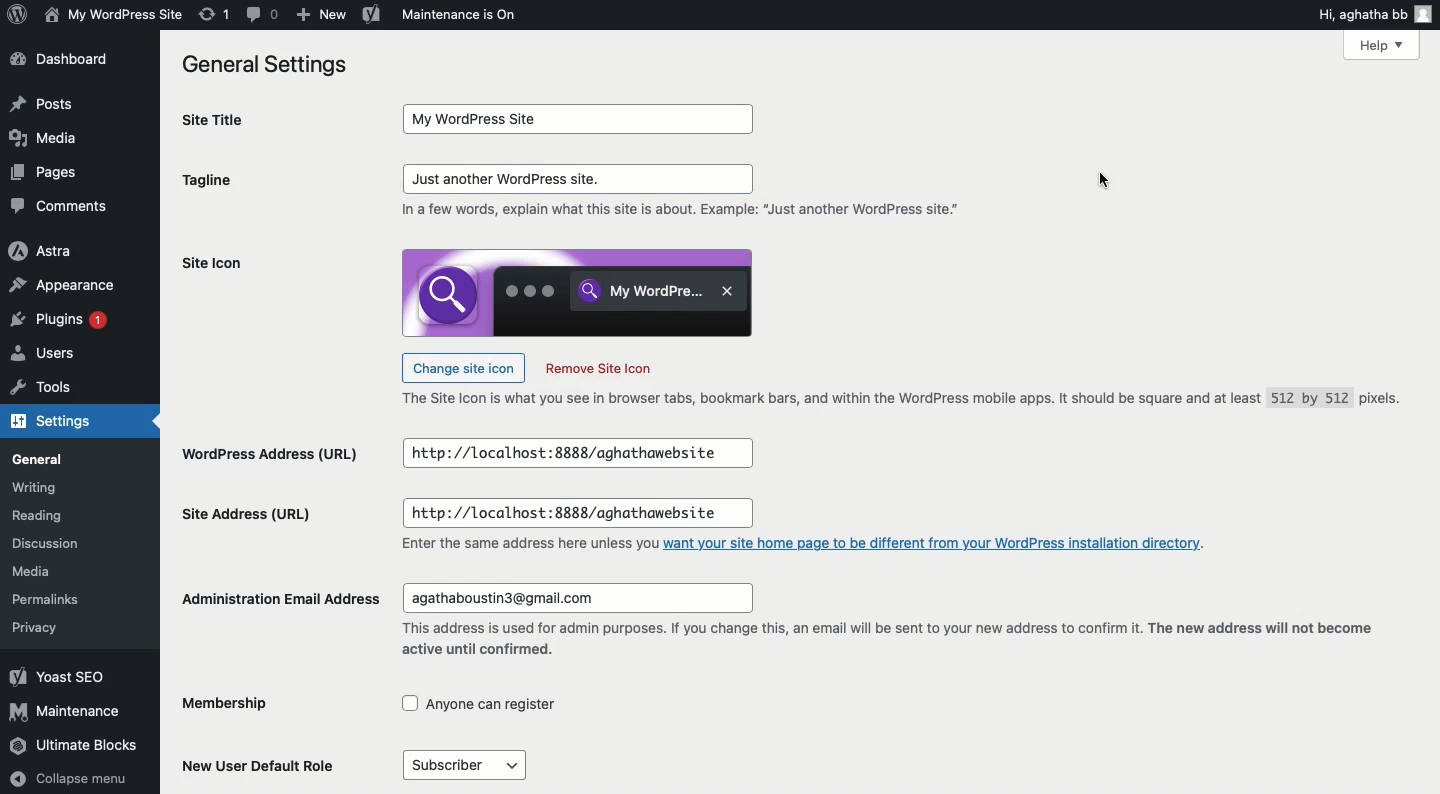  Describe the element at coordinates (598, 369) in the screenshot. I see `Remove` at that location.